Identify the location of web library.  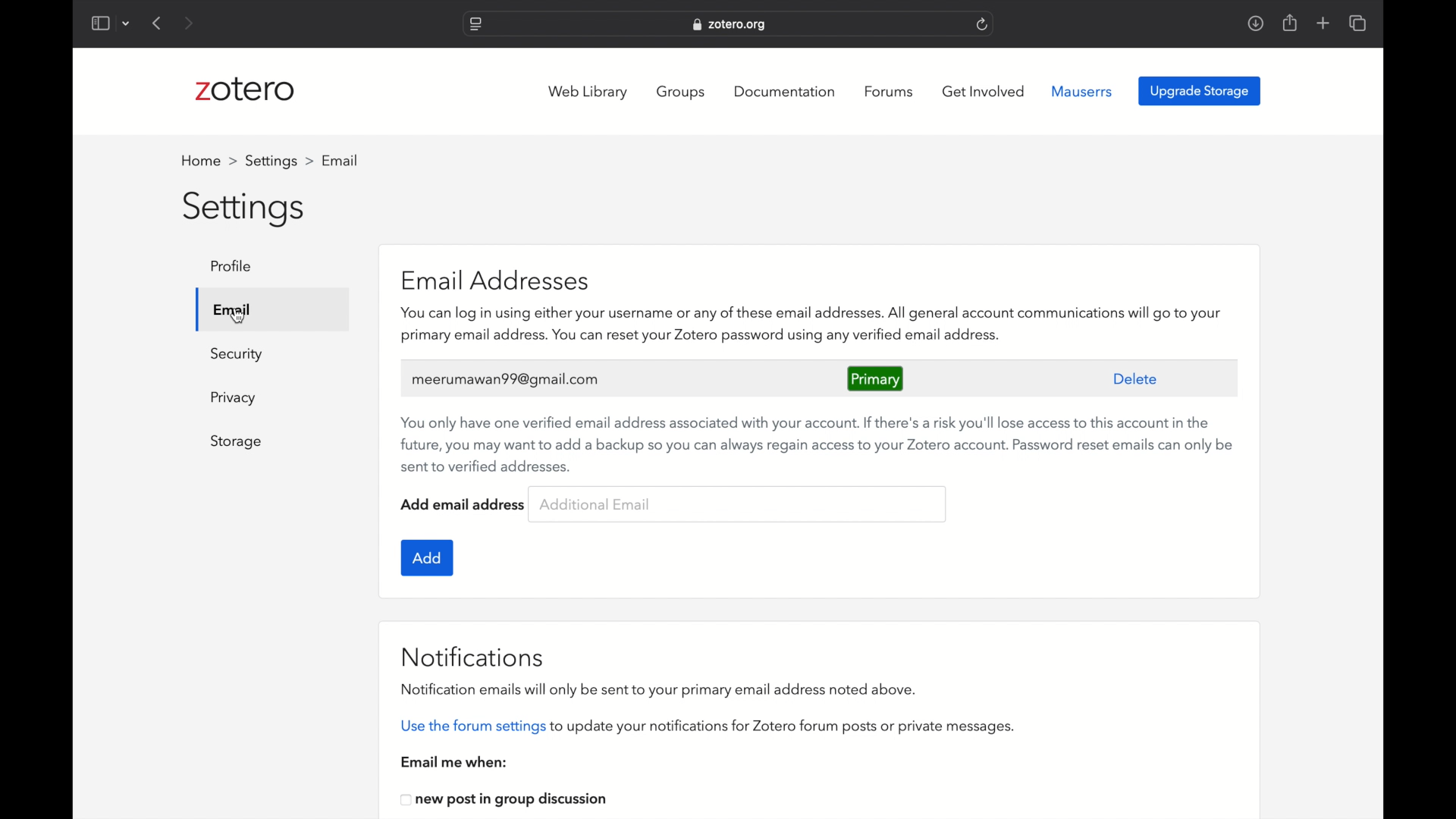
(588, 93).